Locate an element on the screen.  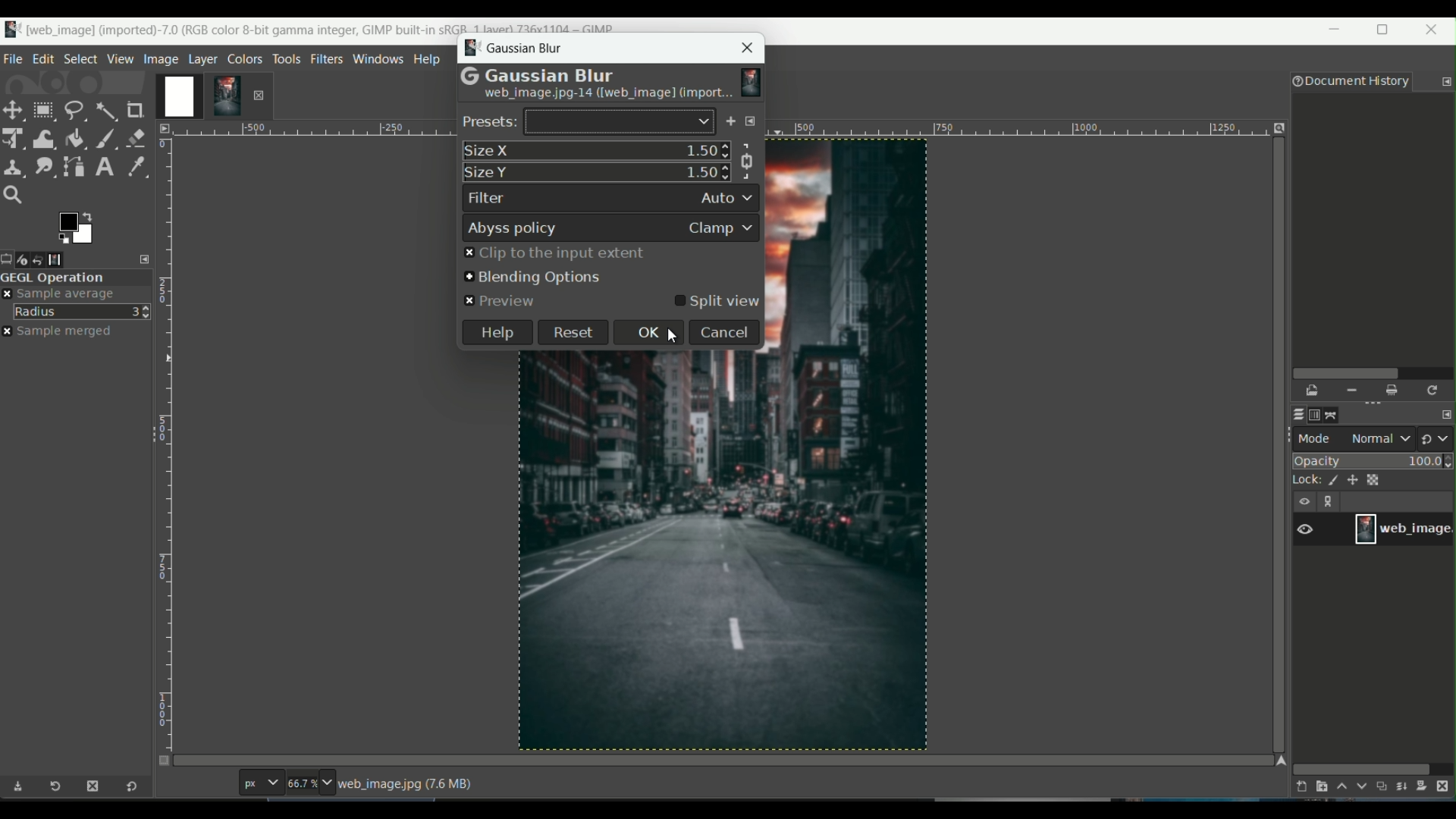
delete tool preset is located at coordinates (92, 786).